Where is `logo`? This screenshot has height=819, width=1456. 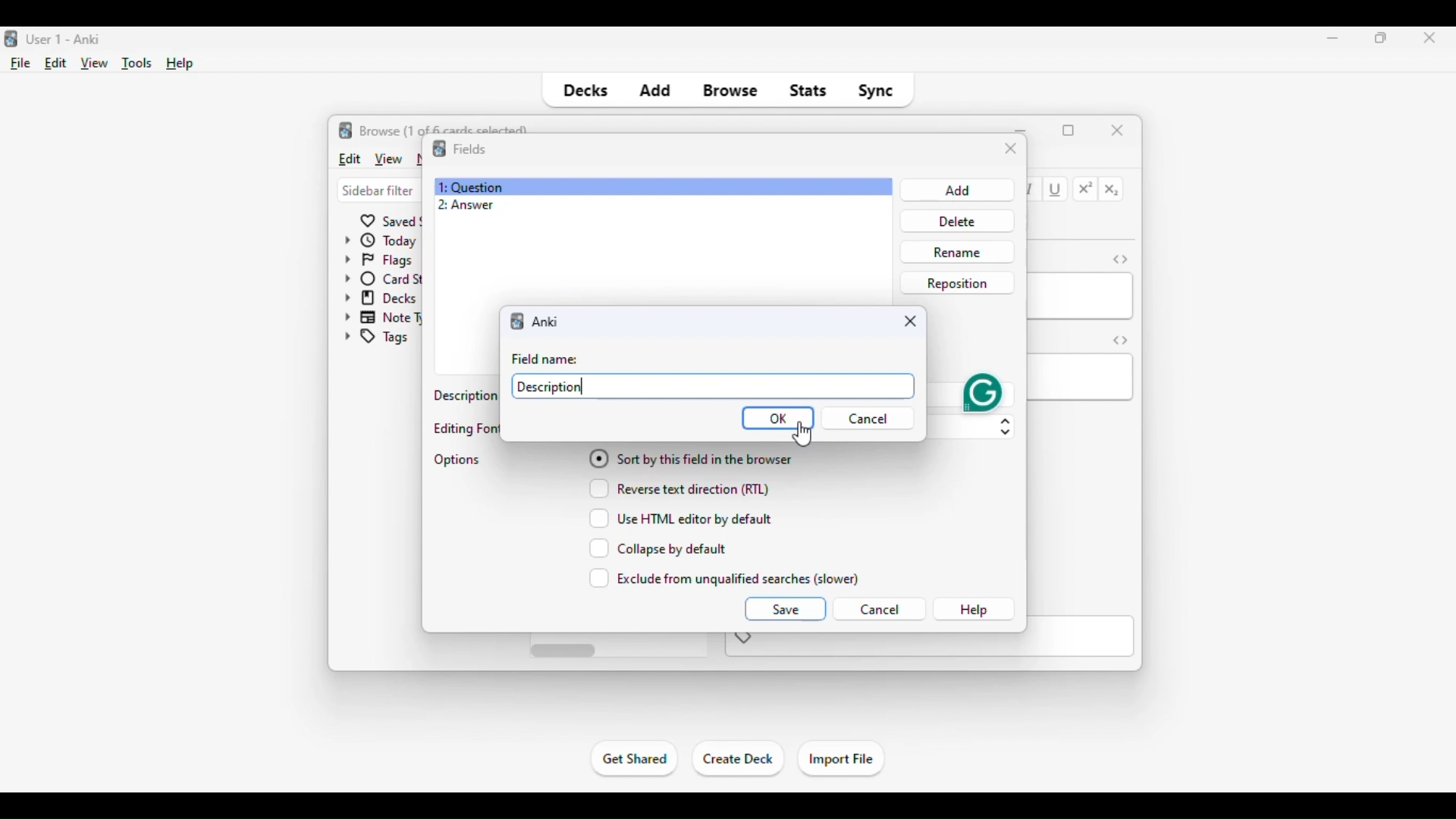 logo is located at coordinates (438, 149).